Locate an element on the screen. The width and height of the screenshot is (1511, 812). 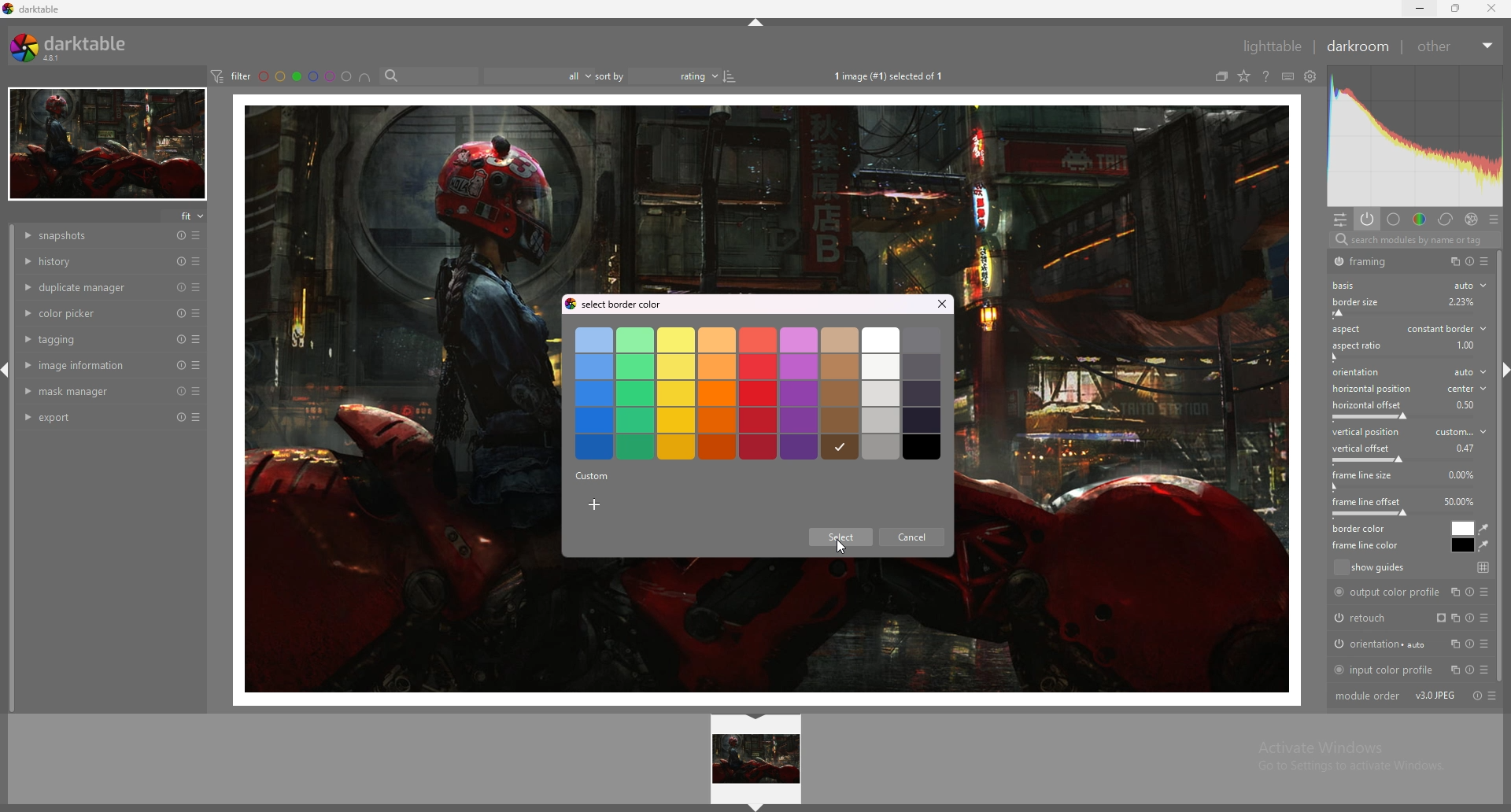
presets is located at coordinates (1495, 696).